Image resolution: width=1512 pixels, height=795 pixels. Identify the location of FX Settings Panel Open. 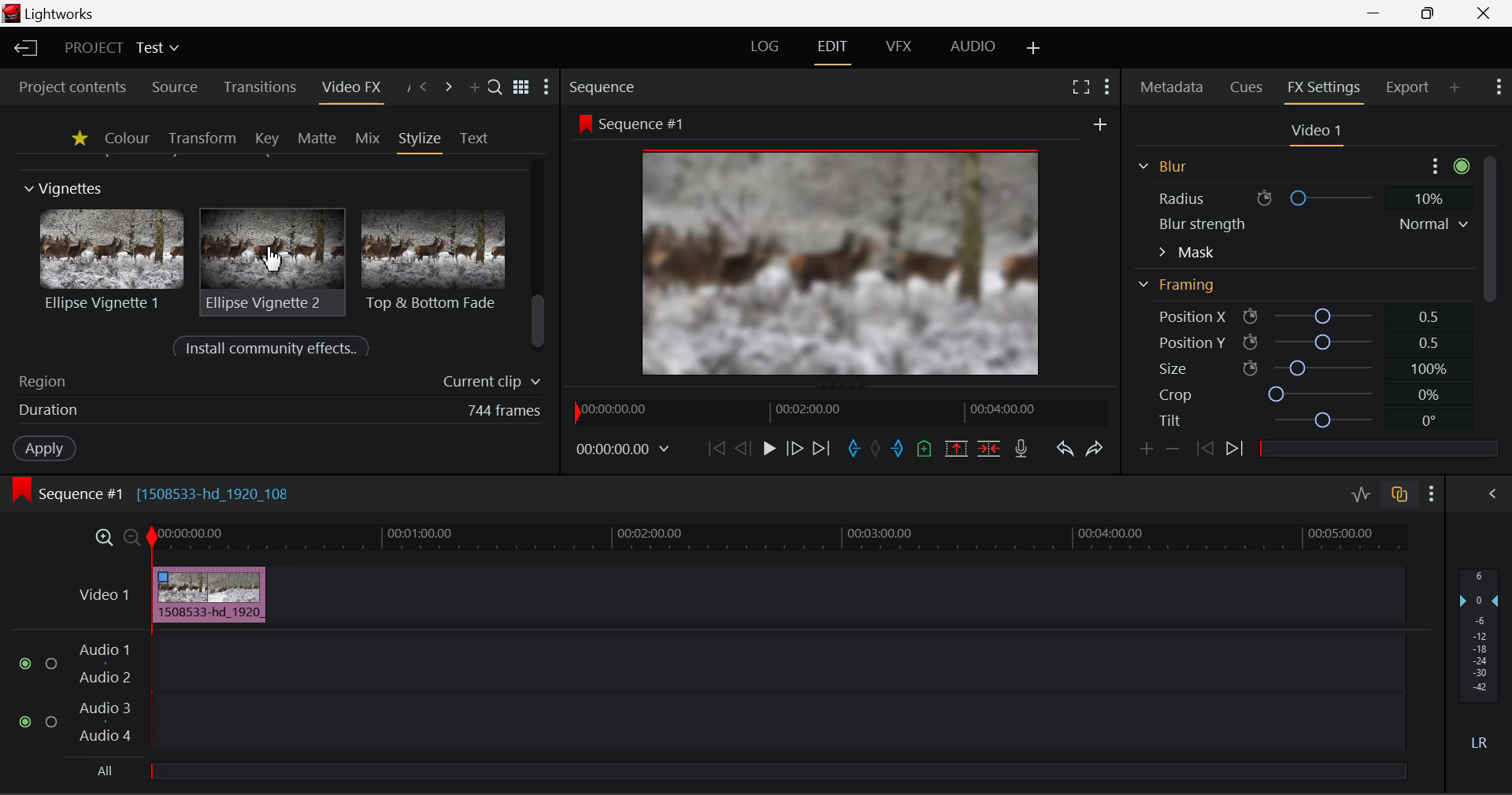
(1321, 90).